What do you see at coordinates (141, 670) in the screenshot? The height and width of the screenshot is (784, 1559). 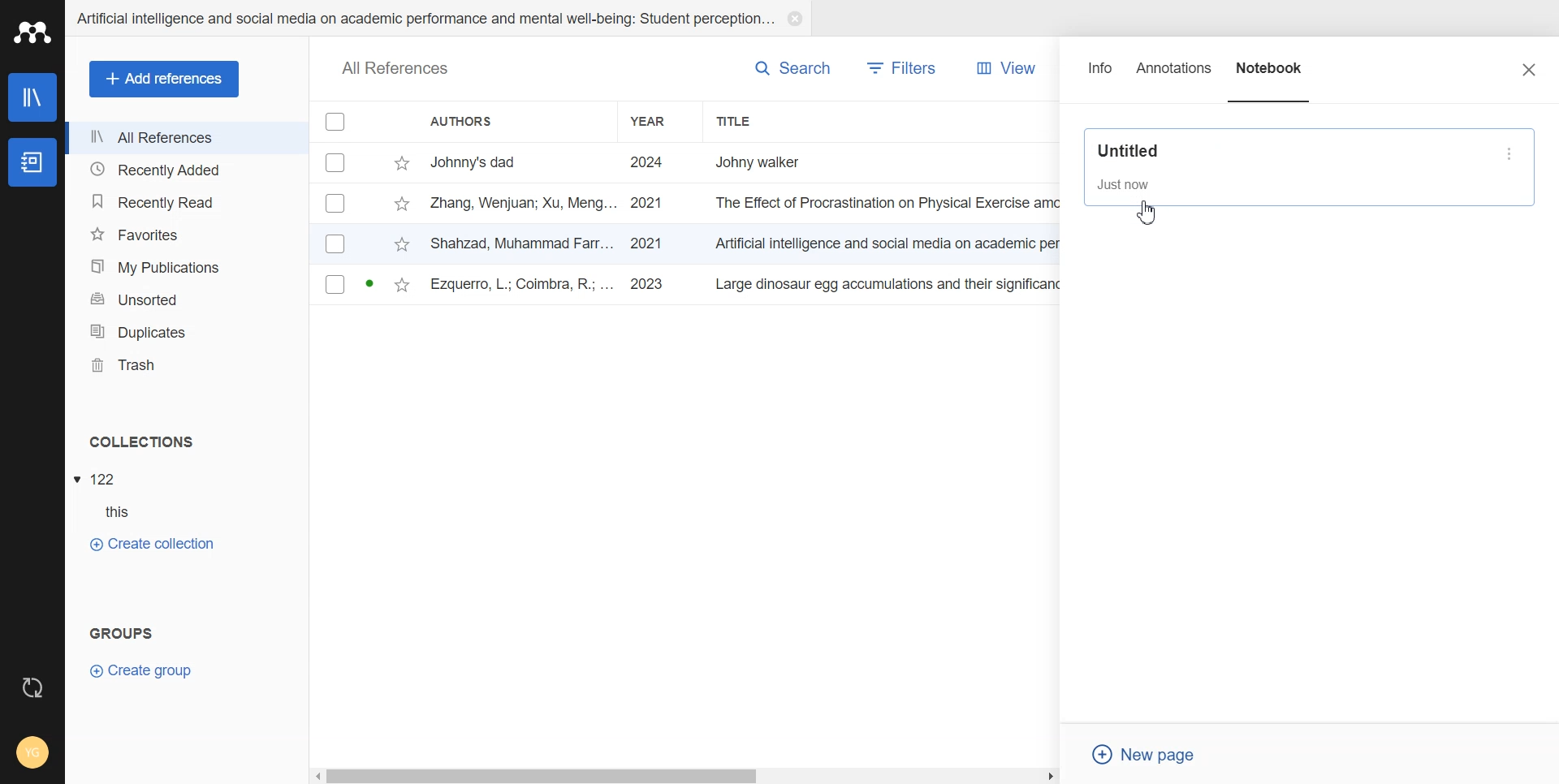 I see `Crate Group` at bounding box center [141, 670].